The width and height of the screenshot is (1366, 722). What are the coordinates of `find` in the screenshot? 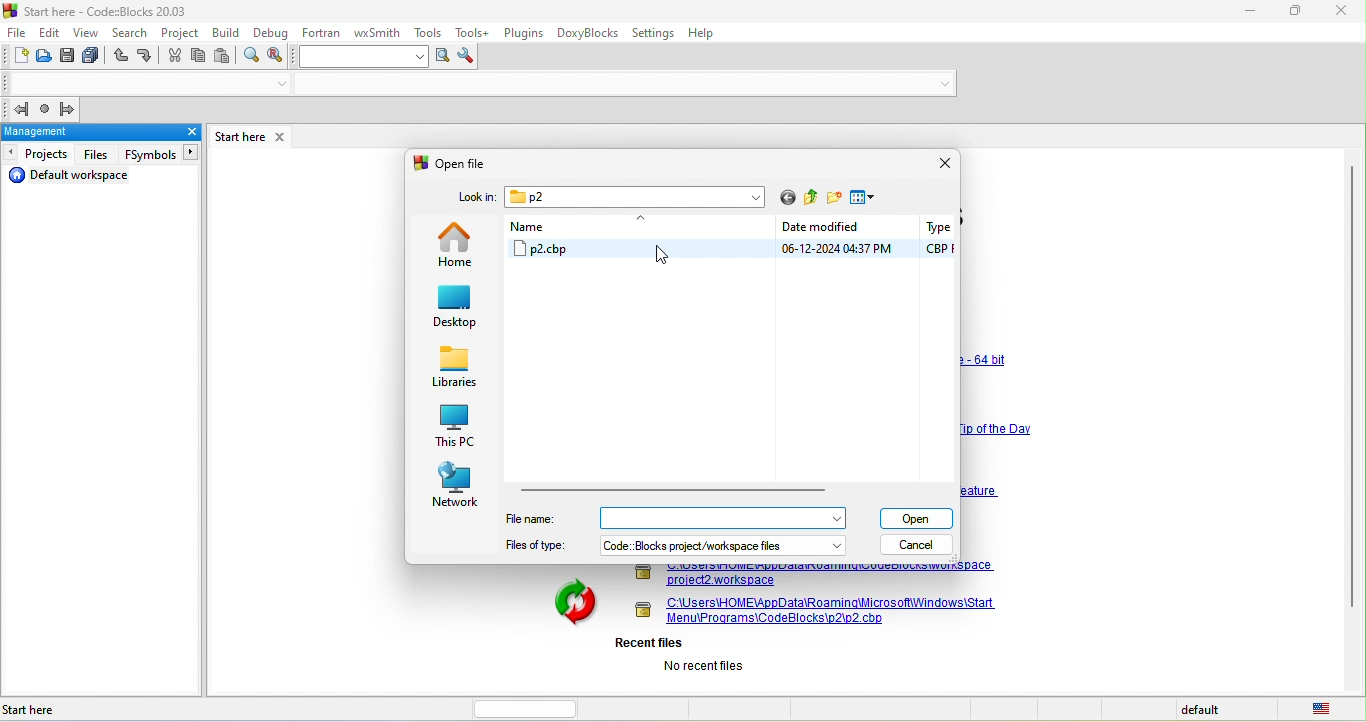 It's located at (249, 56).